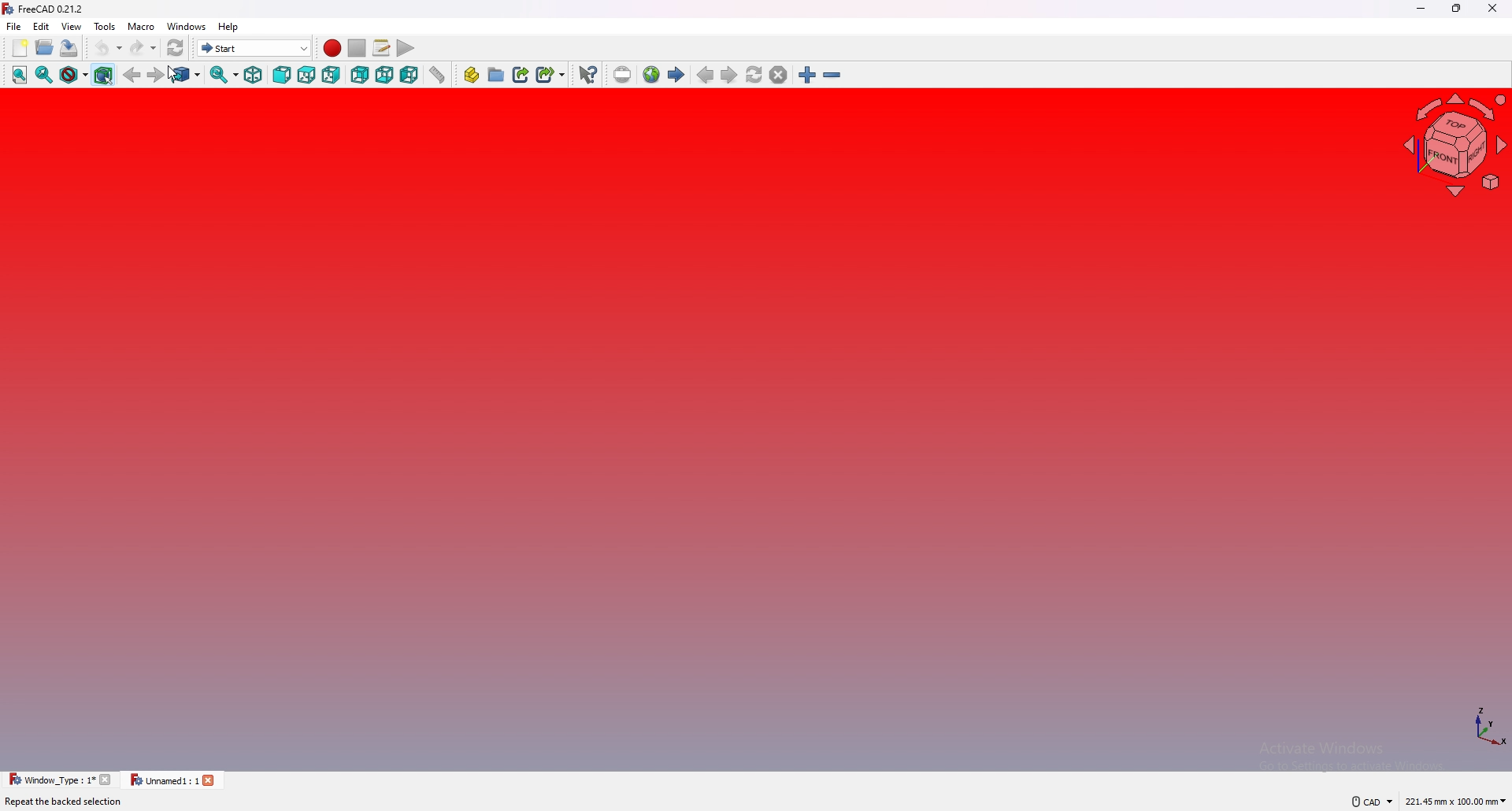 Image resolution: width=1512 pixels, height=811 pixels. What do you see at coordinates (254, 75) in the screenshot?
I see `isometric` at bounding box center [254, 75].